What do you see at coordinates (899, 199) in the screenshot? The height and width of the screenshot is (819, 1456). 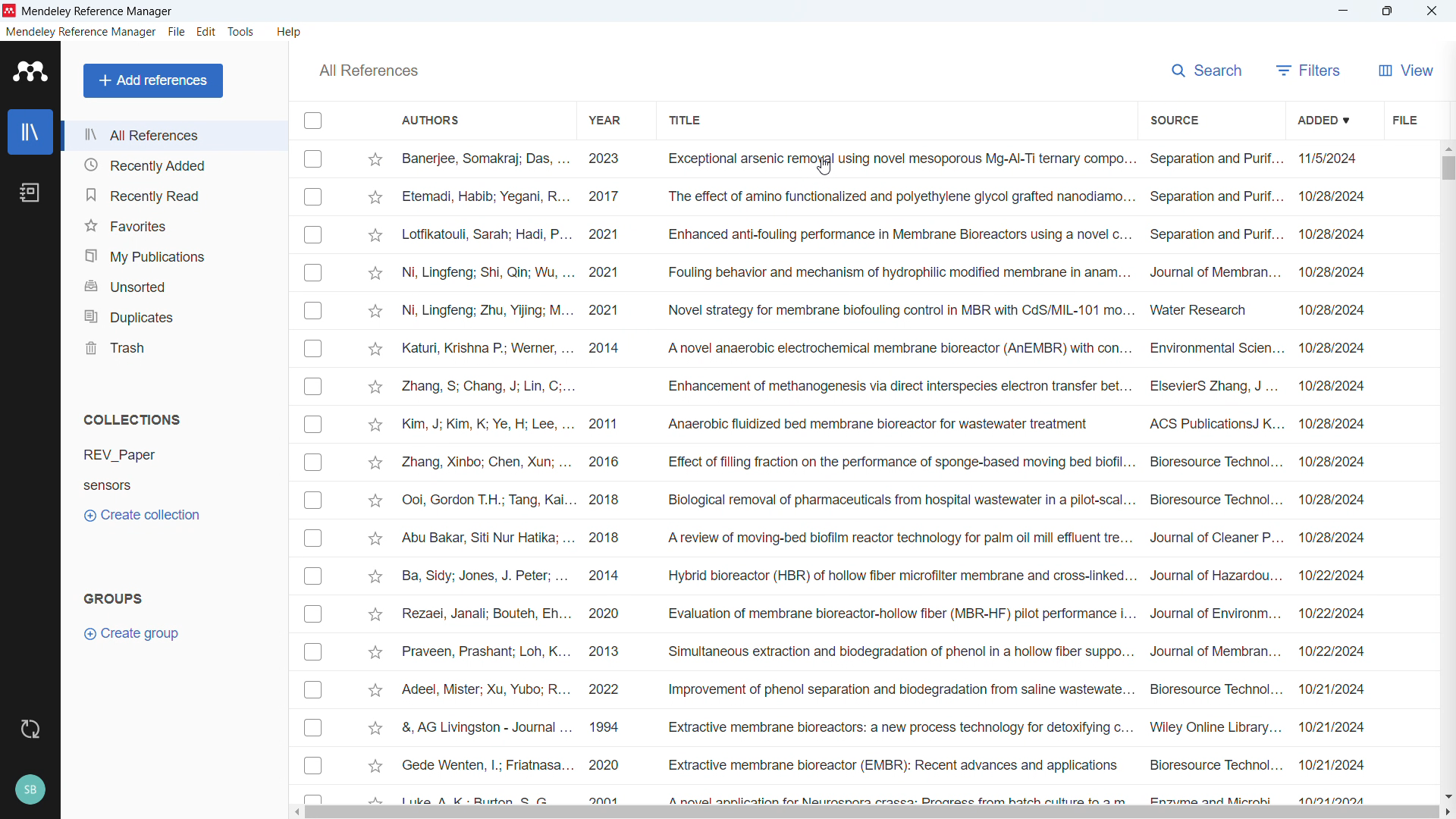 I see `the effect of amino functionalized and polyethylene glycol grafted nanodiamo` at bounding box center [899, 199].